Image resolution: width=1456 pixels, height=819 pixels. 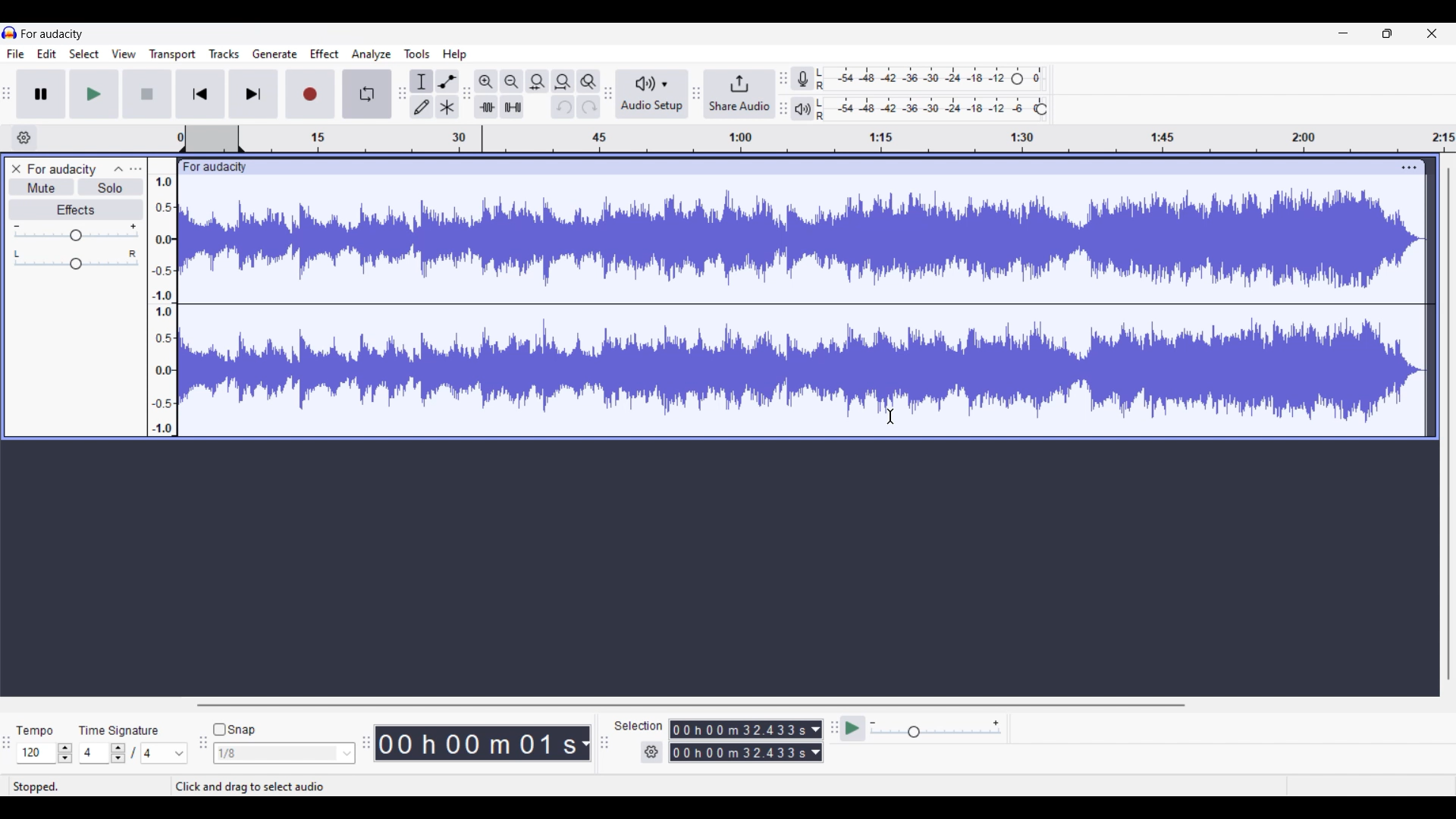 What do you see at coordinates (252, 786) in the screenshot?
I see `Instruction for cursor` at bounding box center [252, 786].